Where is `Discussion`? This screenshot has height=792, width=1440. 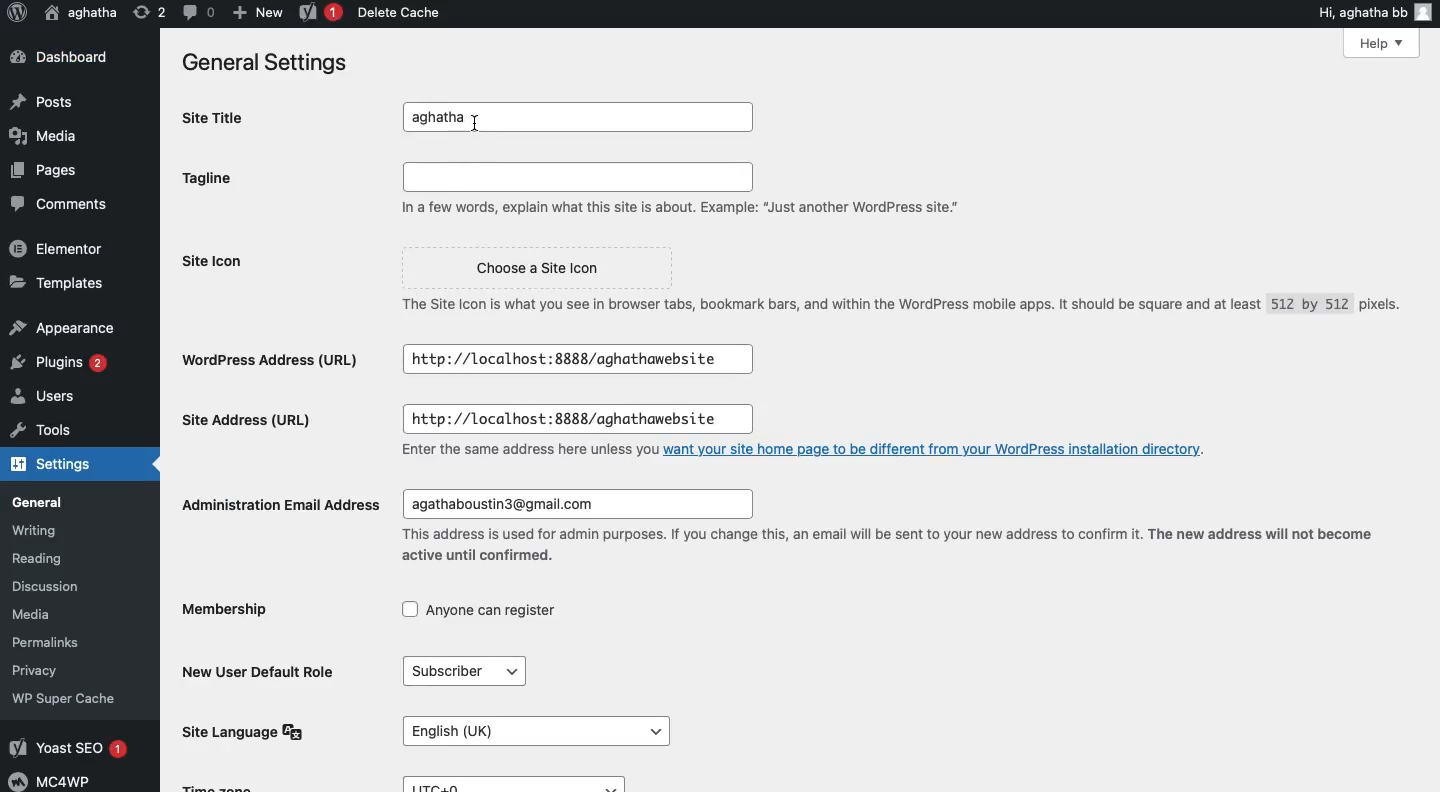
Discussion is located at coordinates (47, 584).